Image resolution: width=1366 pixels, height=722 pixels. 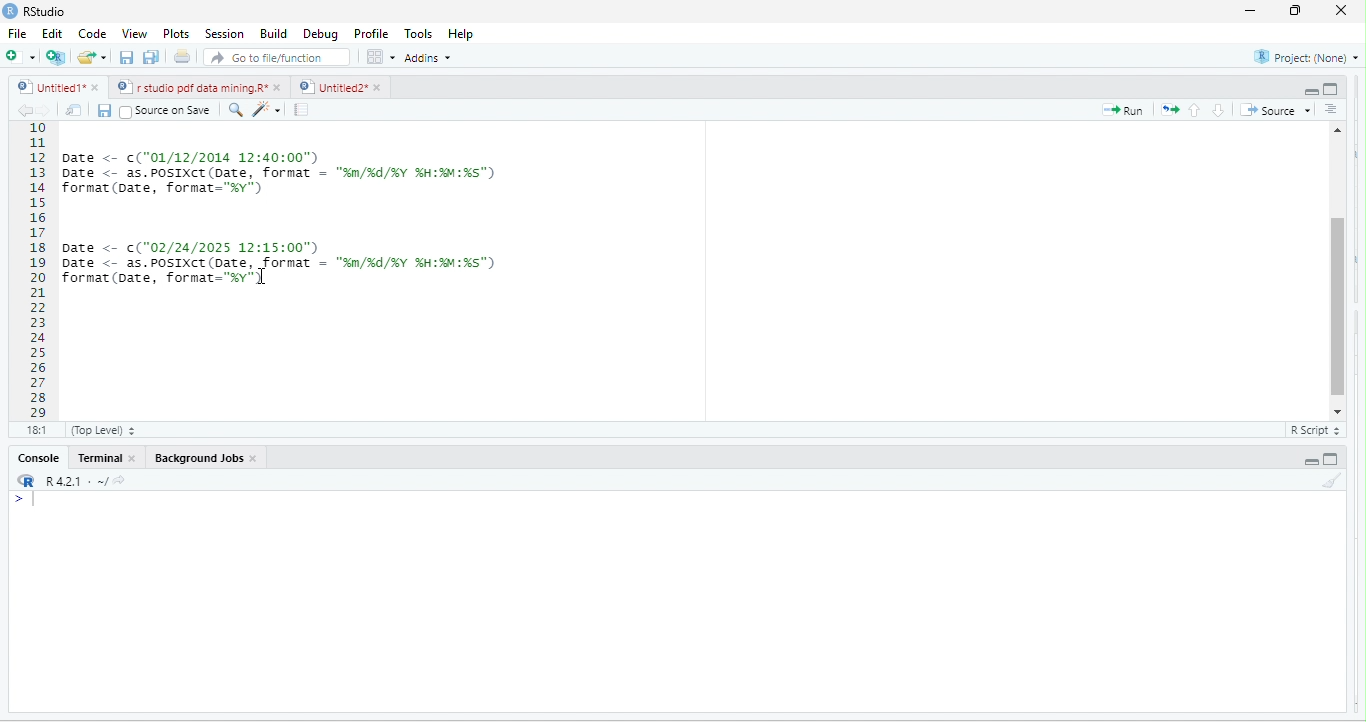 What do you see at coordinates (380, 88) in the screenshot?
I see `close` at bounding box center [380, 88].